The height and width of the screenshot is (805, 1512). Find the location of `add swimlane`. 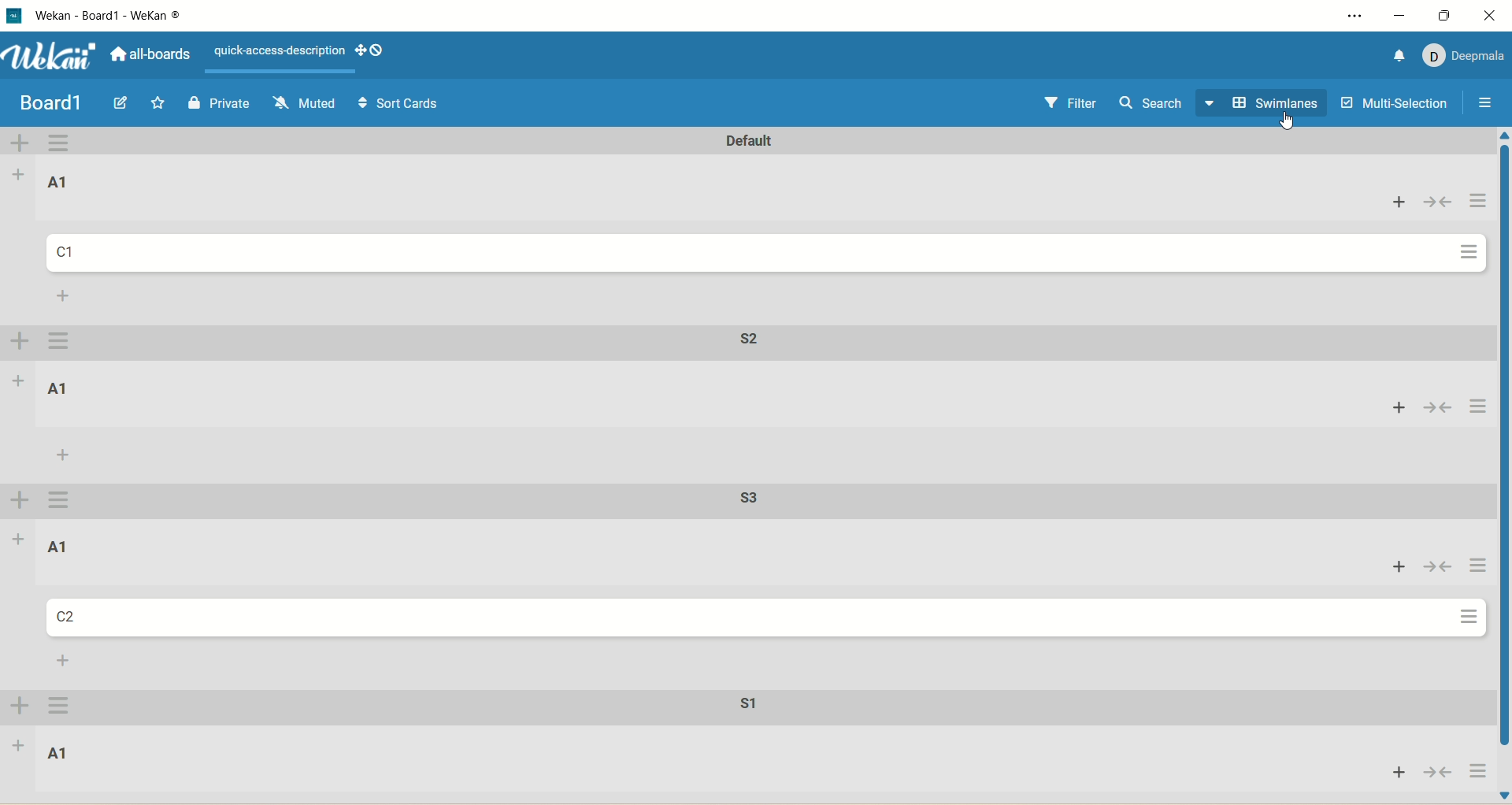

add swimlane is located at coordinates (21, 500).